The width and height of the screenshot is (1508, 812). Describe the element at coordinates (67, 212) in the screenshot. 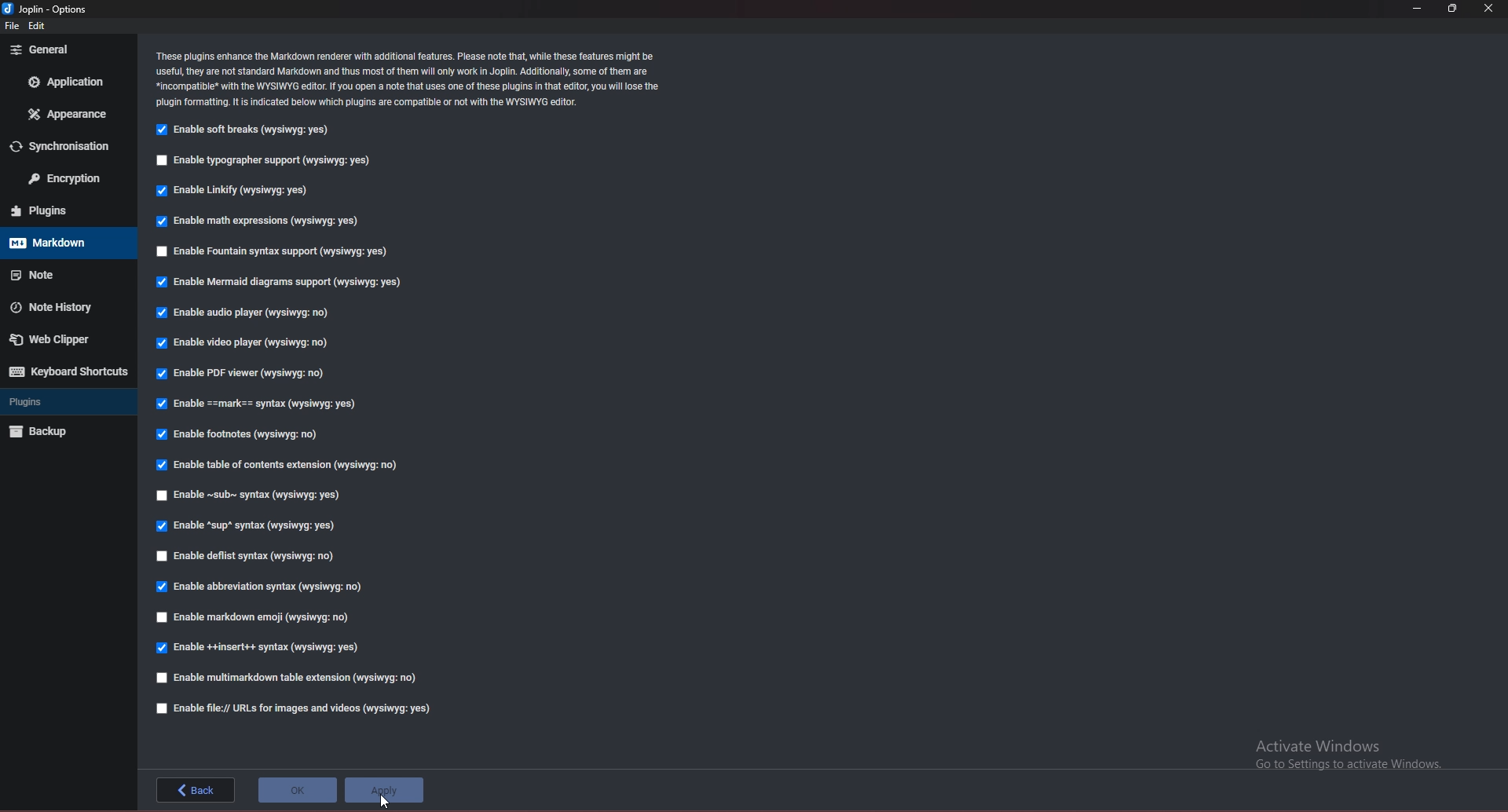

I see `plugins` at that location.